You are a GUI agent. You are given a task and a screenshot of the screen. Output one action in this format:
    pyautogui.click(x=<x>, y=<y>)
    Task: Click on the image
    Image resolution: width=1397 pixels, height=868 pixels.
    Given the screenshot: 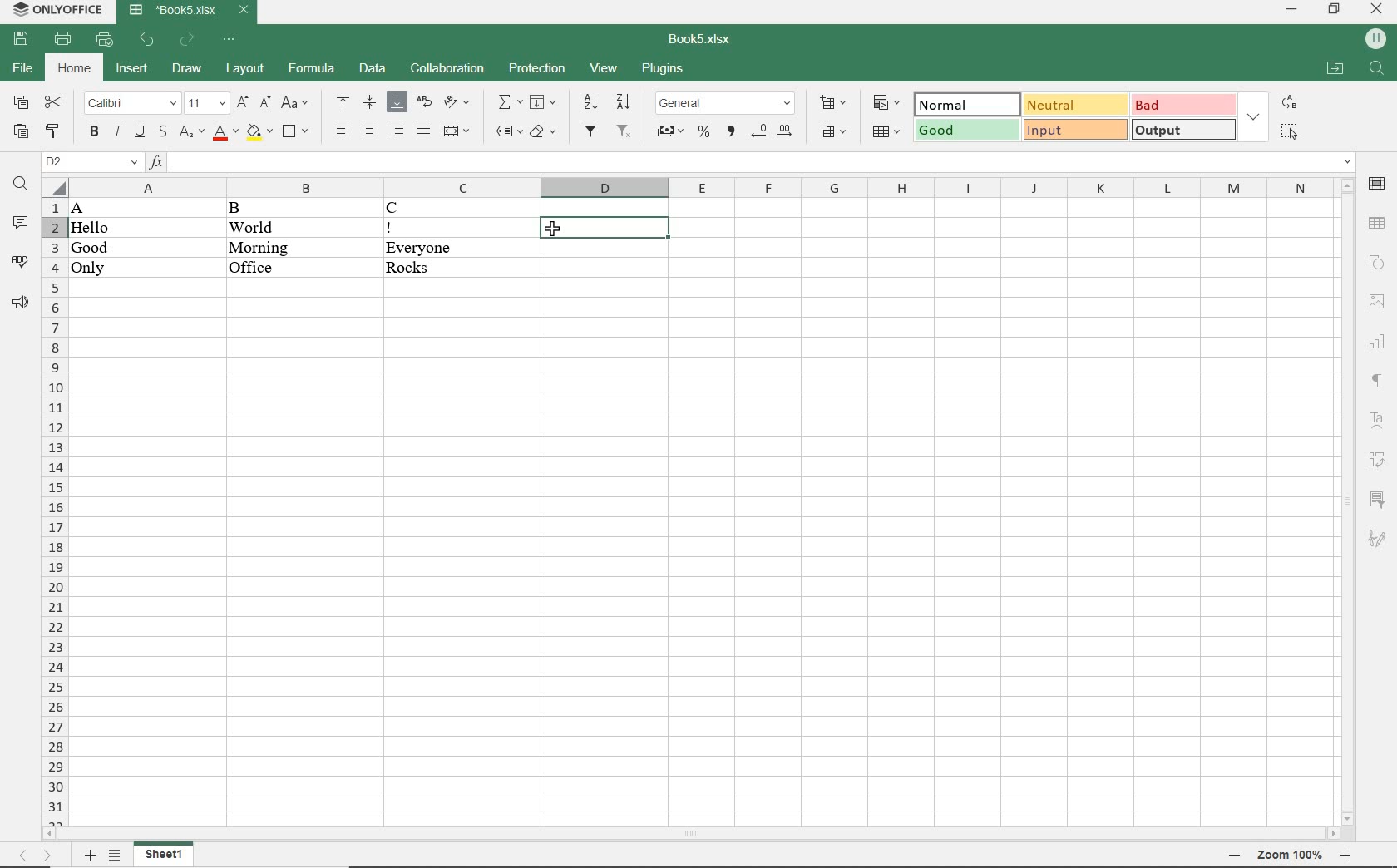 What is the action you would take?
    pyautogui.click(x=1376, y=301)
    